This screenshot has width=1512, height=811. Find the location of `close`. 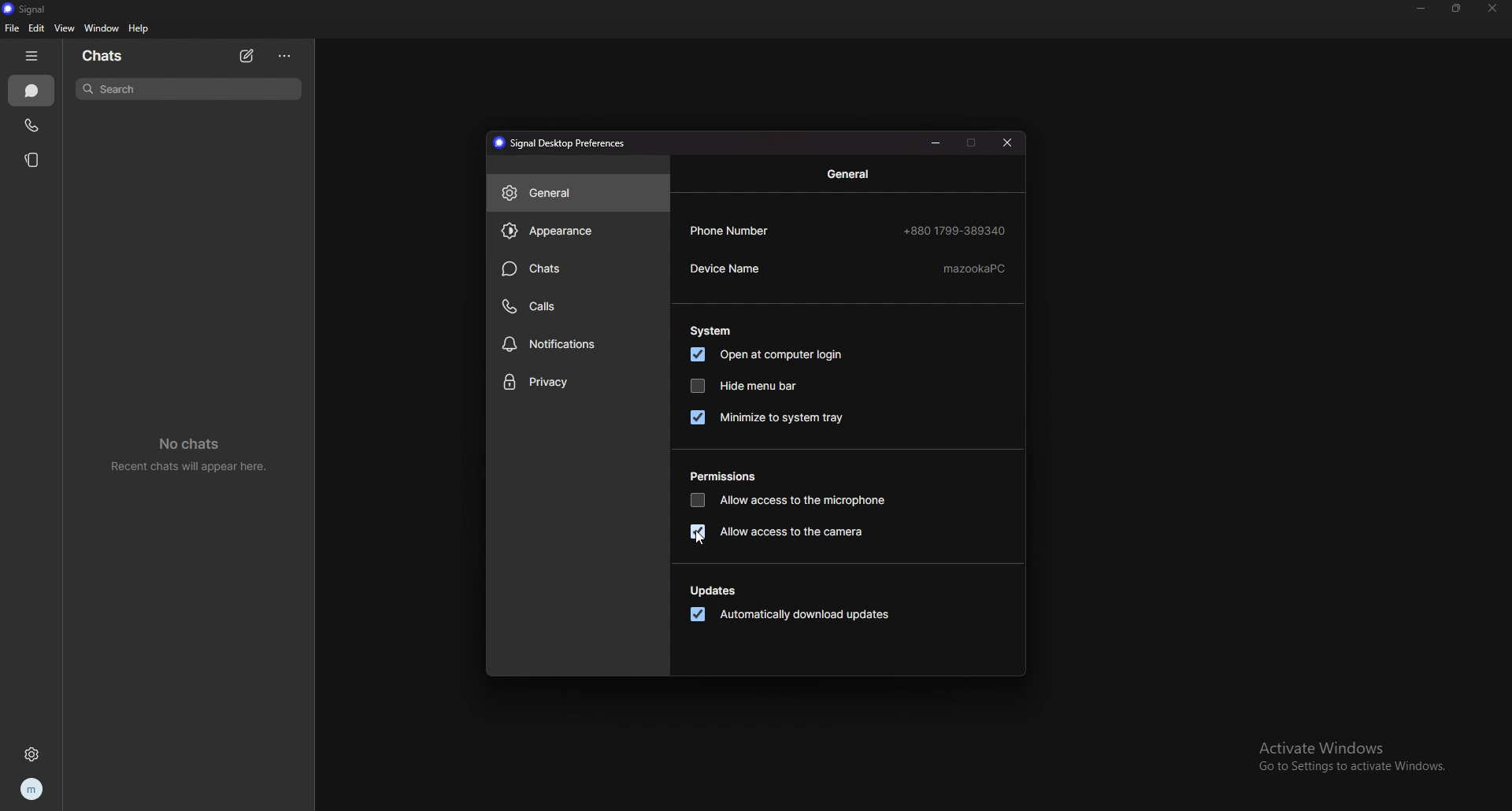

close is located at coordinates (1492, 9).